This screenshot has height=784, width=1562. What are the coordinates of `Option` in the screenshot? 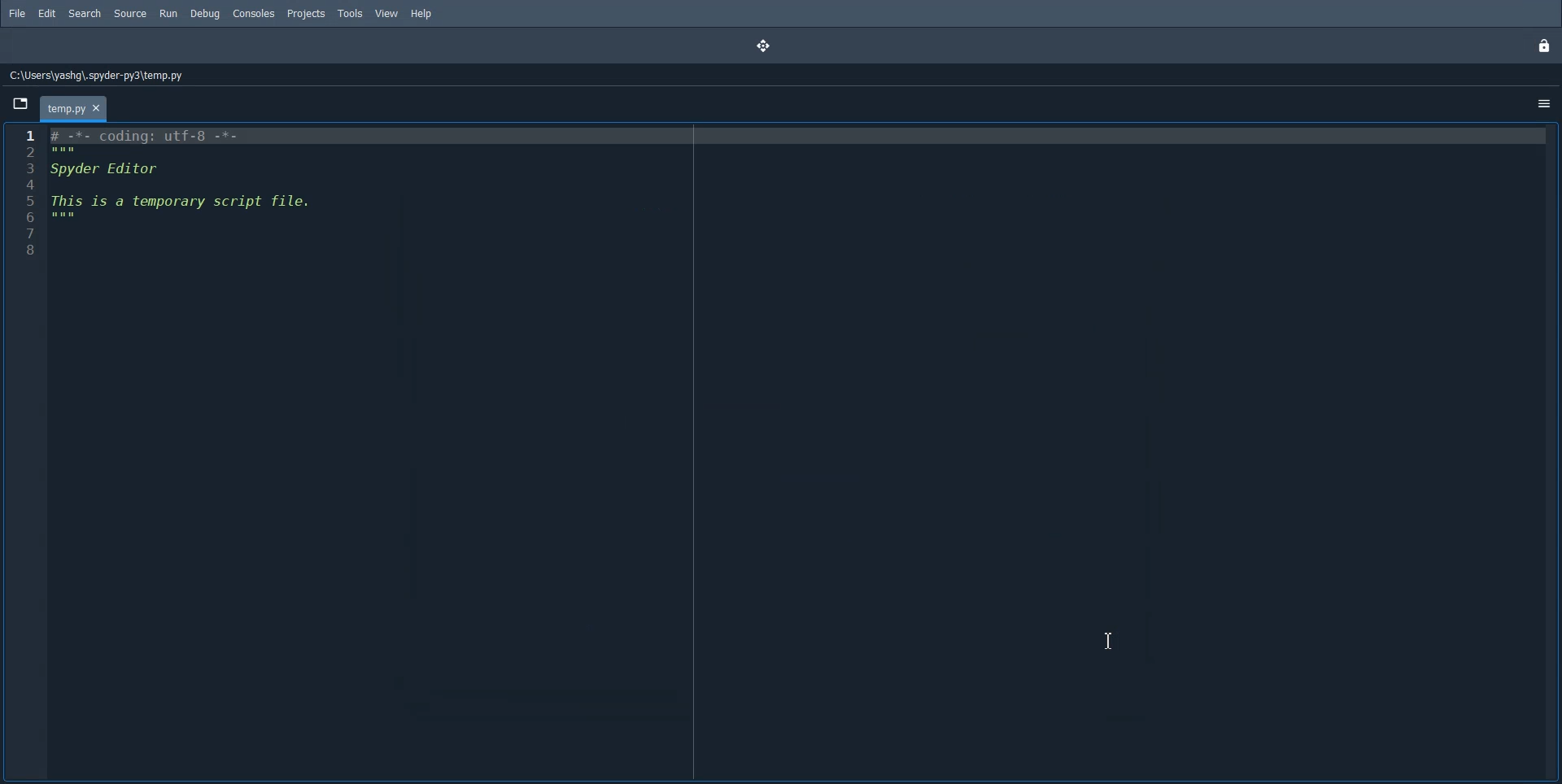 It's located at (1546, 105).